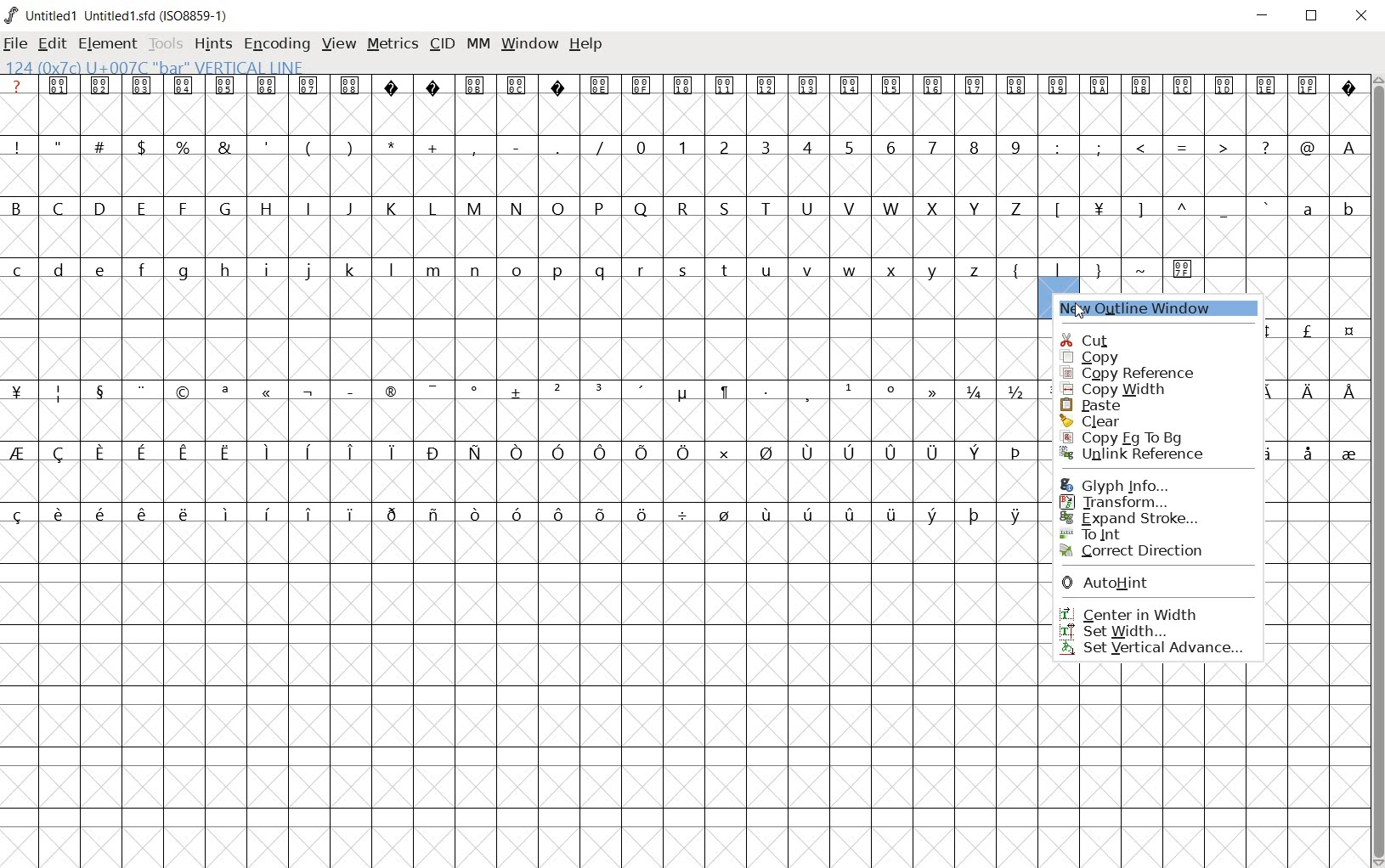 This screenshot has width=1385, height=868. I want to click on scrollbar, so click(1377, 471).